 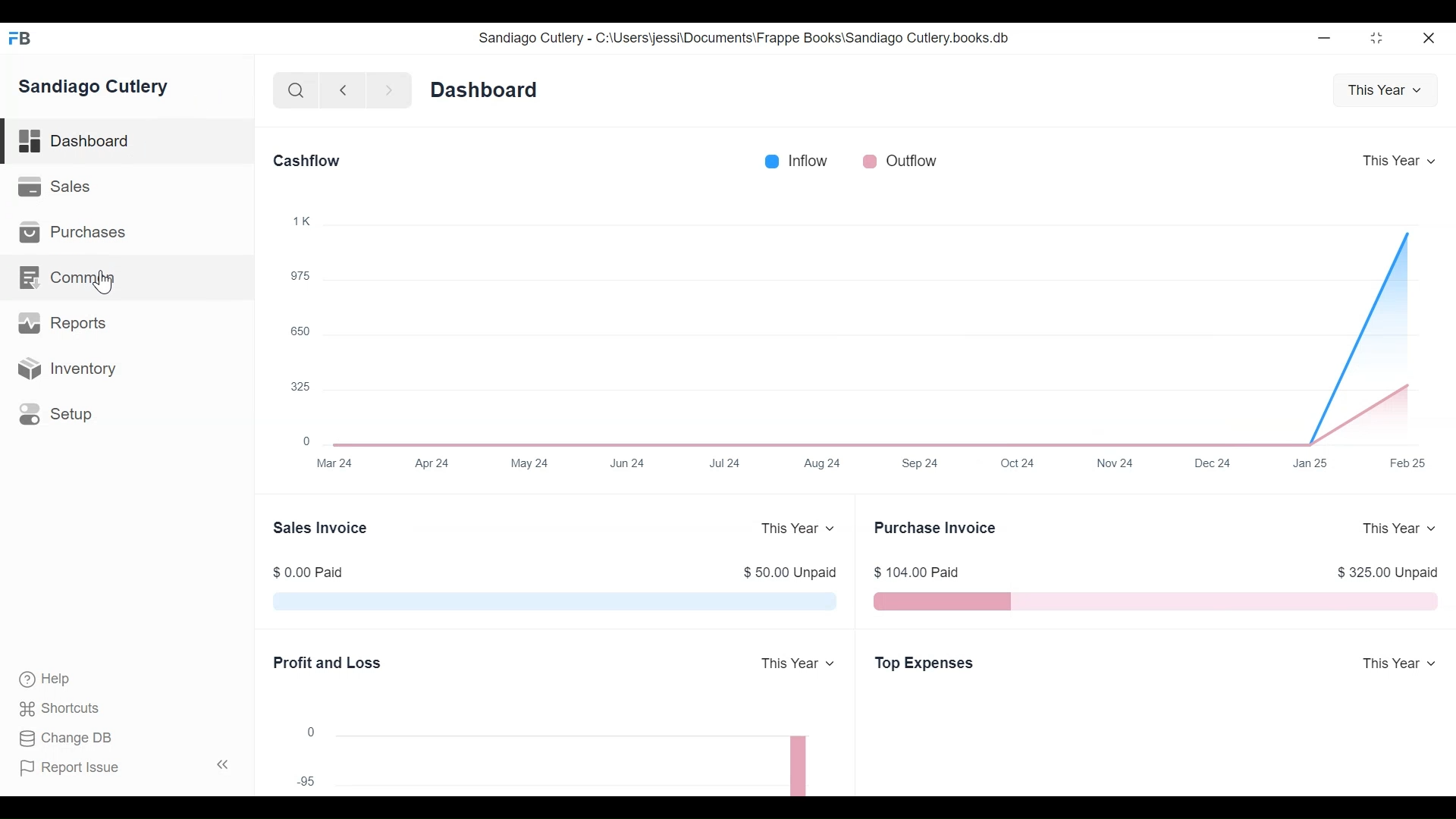 What do you see at coordinates (919, 573) in the screenshot?
I see `$ 104.00 Paid` at bounding box center [919, 573].